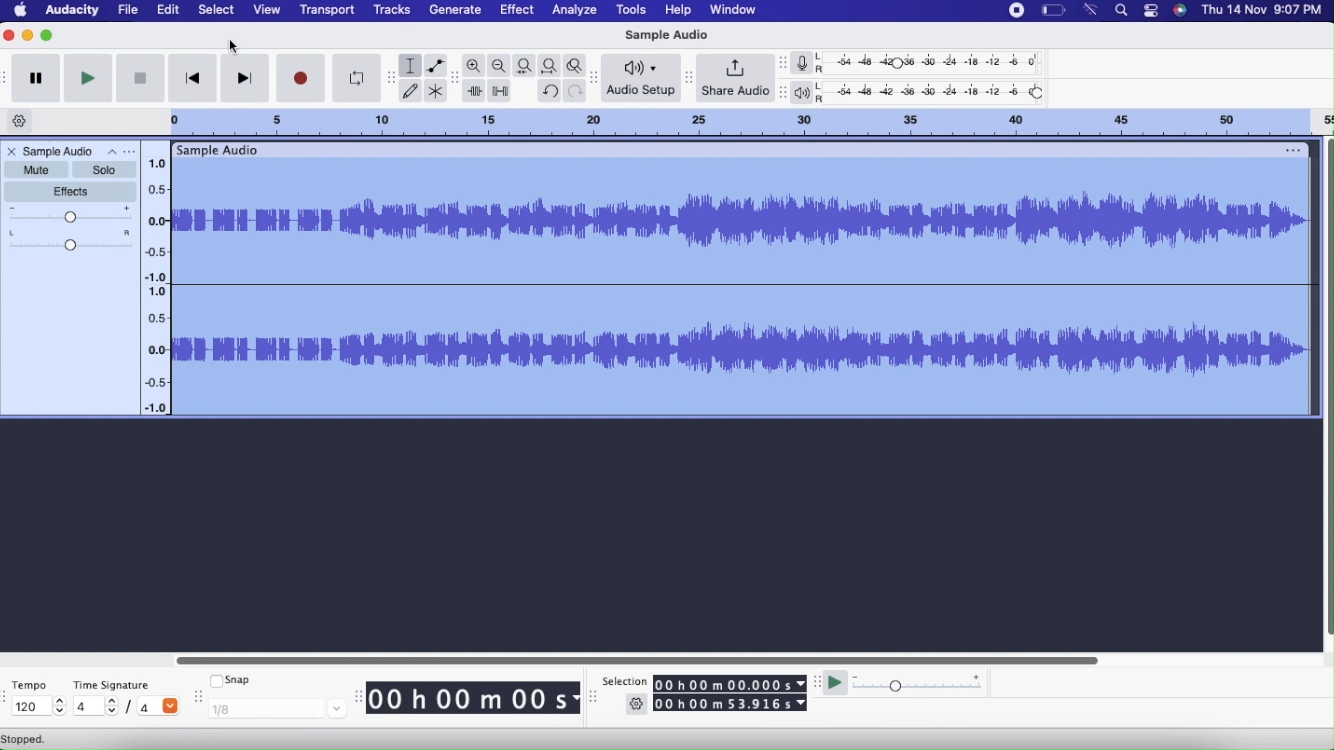 The height and width of the screenshot is (750, 1334). I want to click on Audacity, so click(72, 10).